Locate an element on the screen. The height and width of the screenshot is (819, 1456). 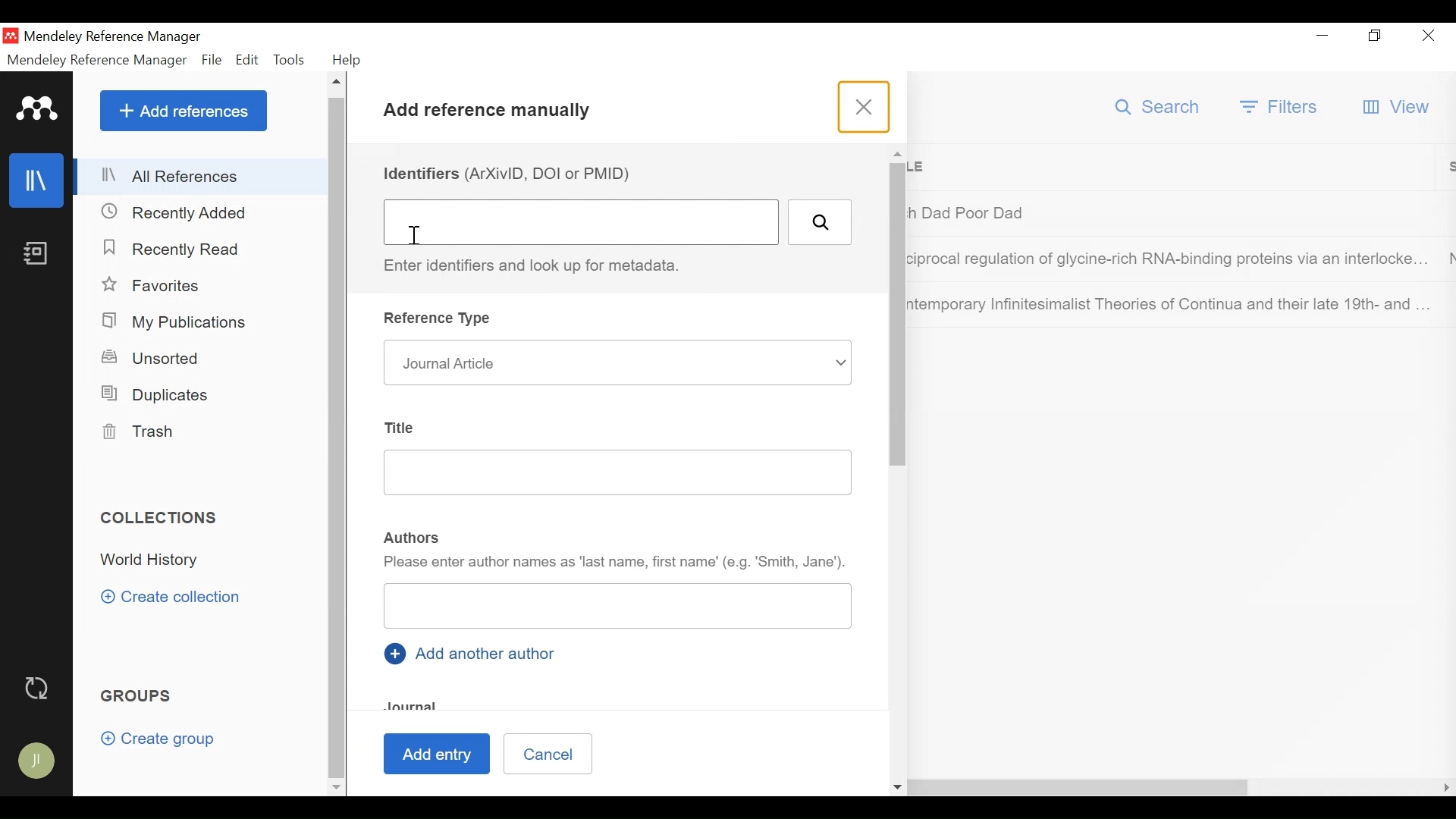
Restore is located at coordinates (1375, 37).